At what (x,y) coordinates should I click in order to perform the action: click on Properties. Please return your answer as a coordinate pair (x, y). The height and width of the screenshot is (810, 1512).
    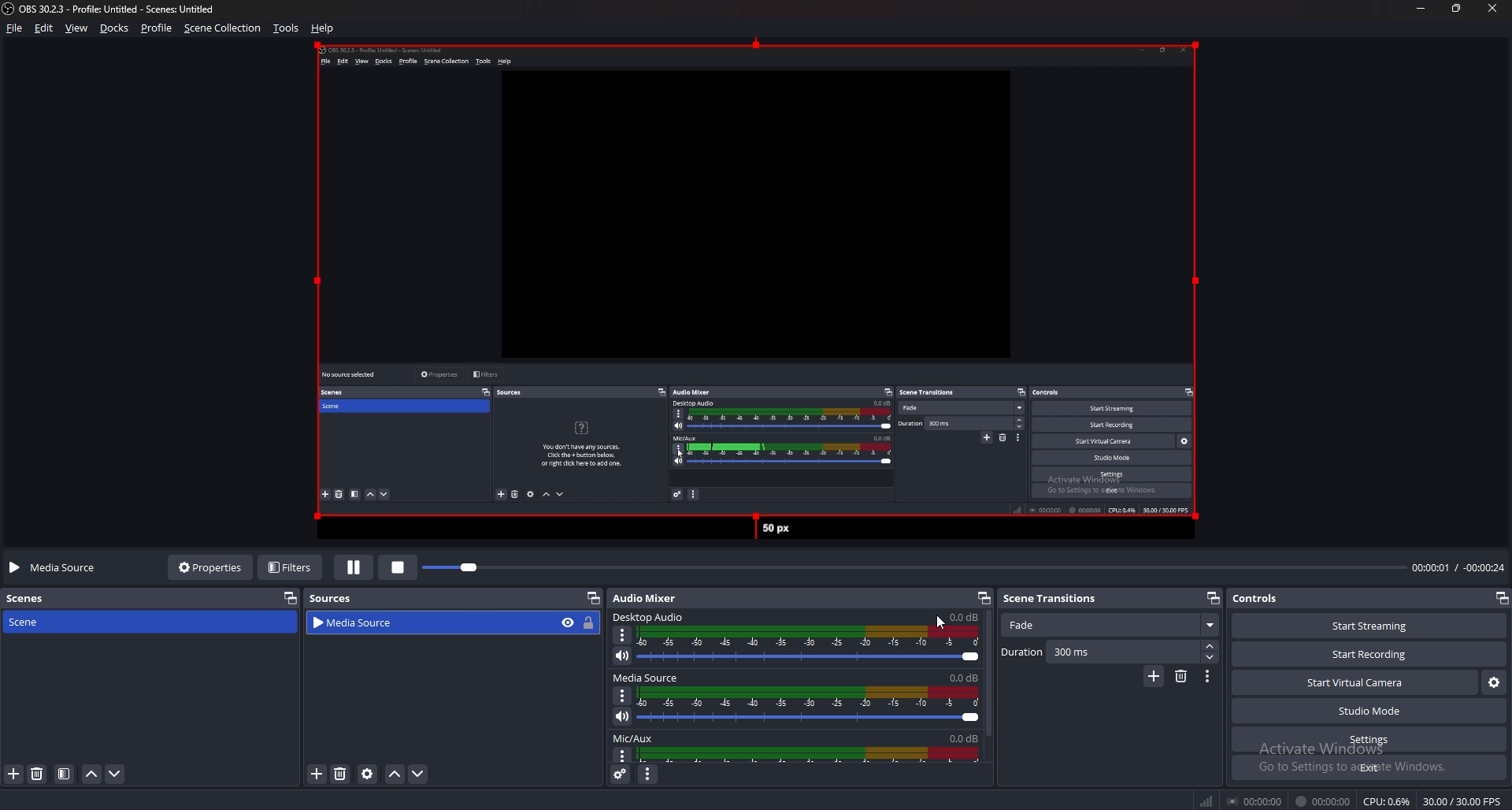
    Looking at the image, I should click on (210, 568).